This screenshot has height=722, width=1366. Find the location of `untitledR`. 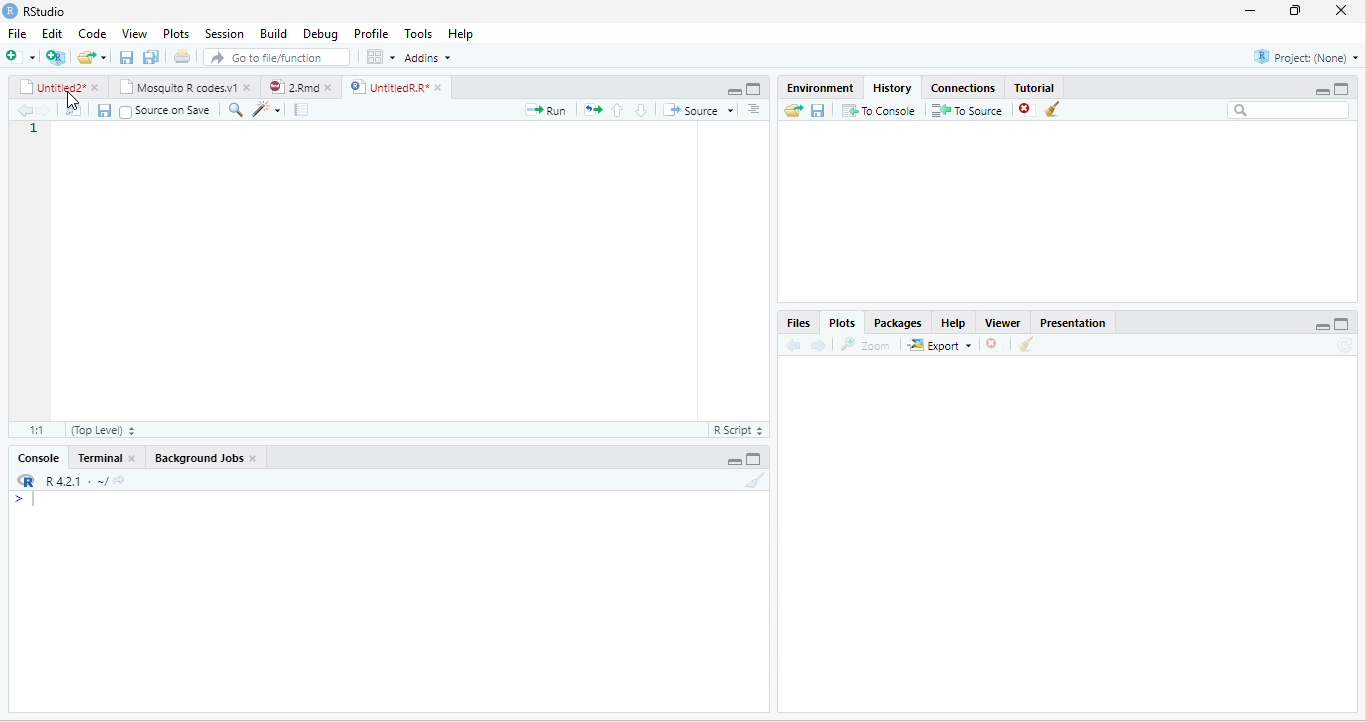

untitledR is located at coordinates (395, 87).